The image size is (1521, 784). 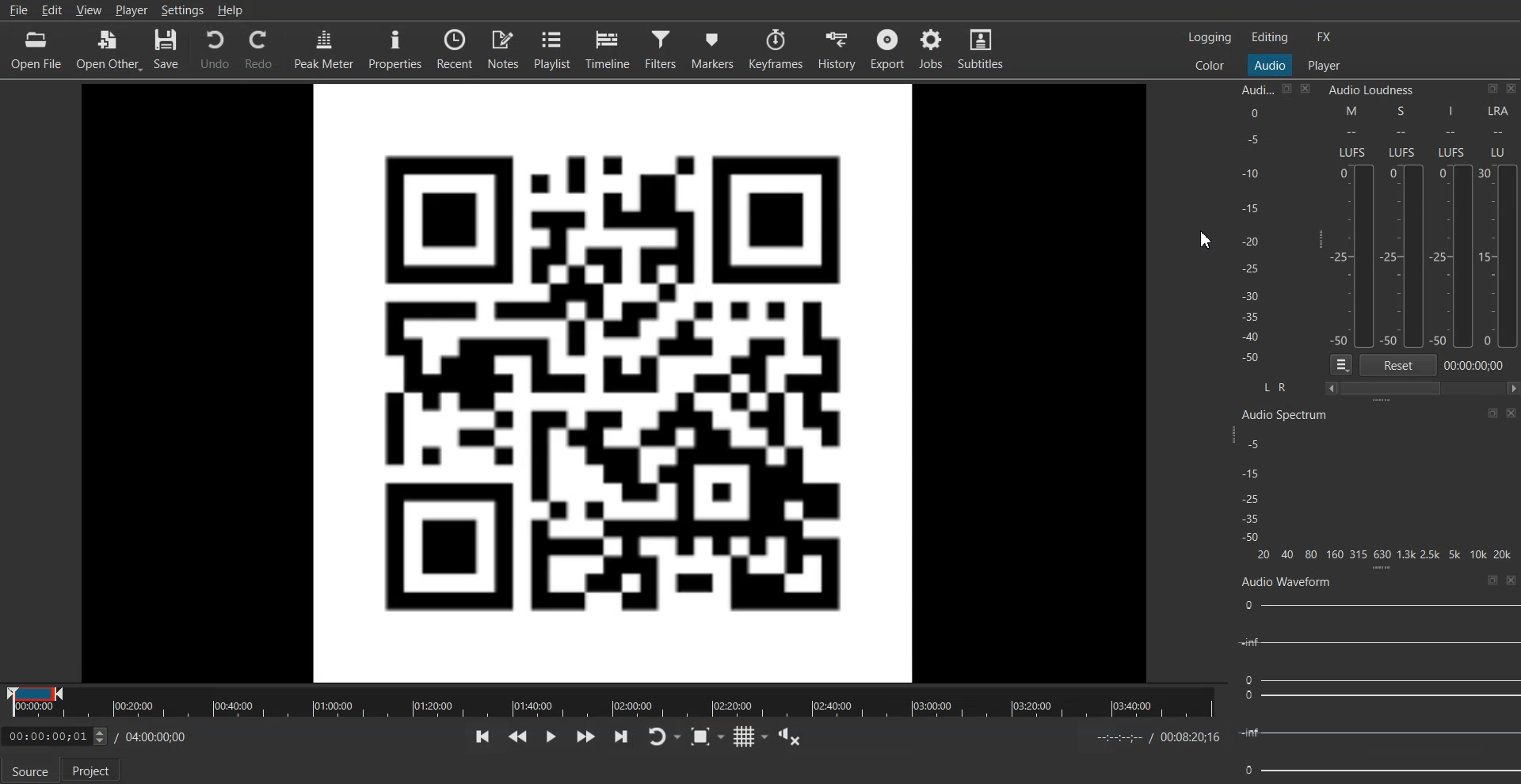 I want to click on Horizontal Scroll bar, so click(x=1422, y=387).